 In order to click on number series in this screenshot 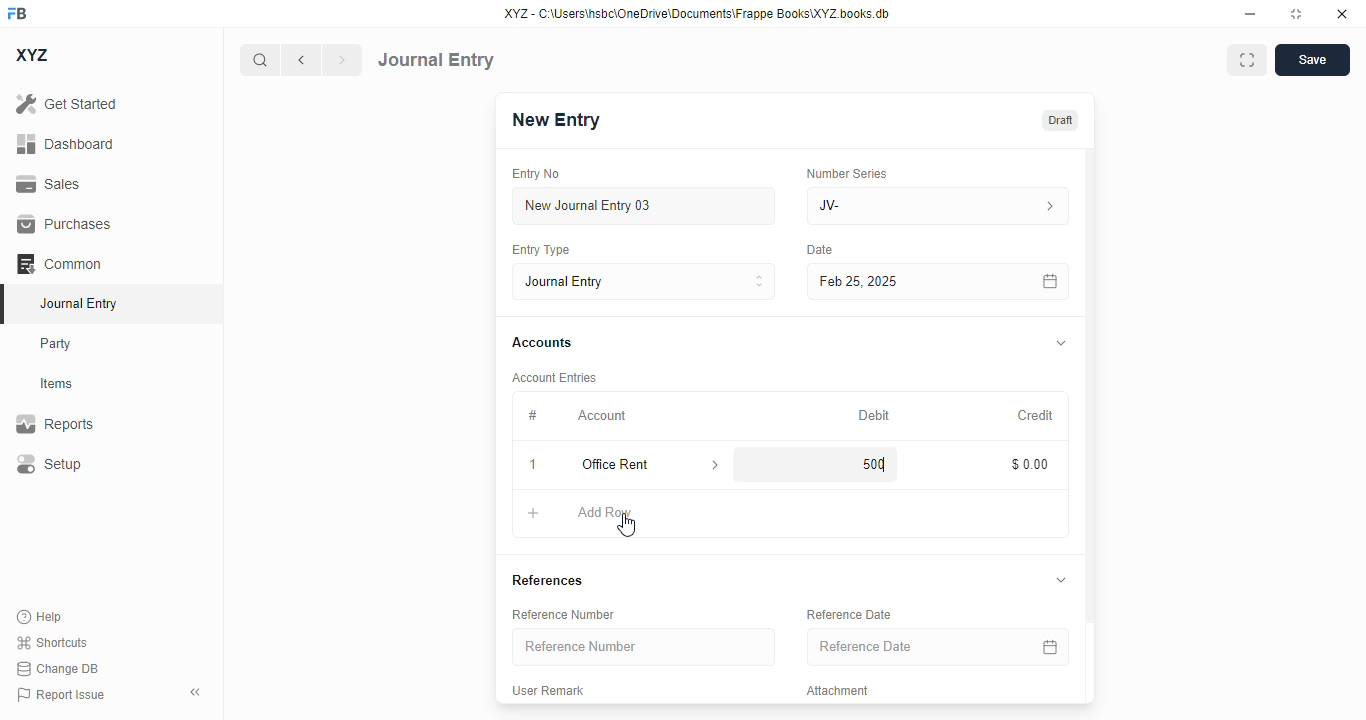, I will do `click(846, 173)`.